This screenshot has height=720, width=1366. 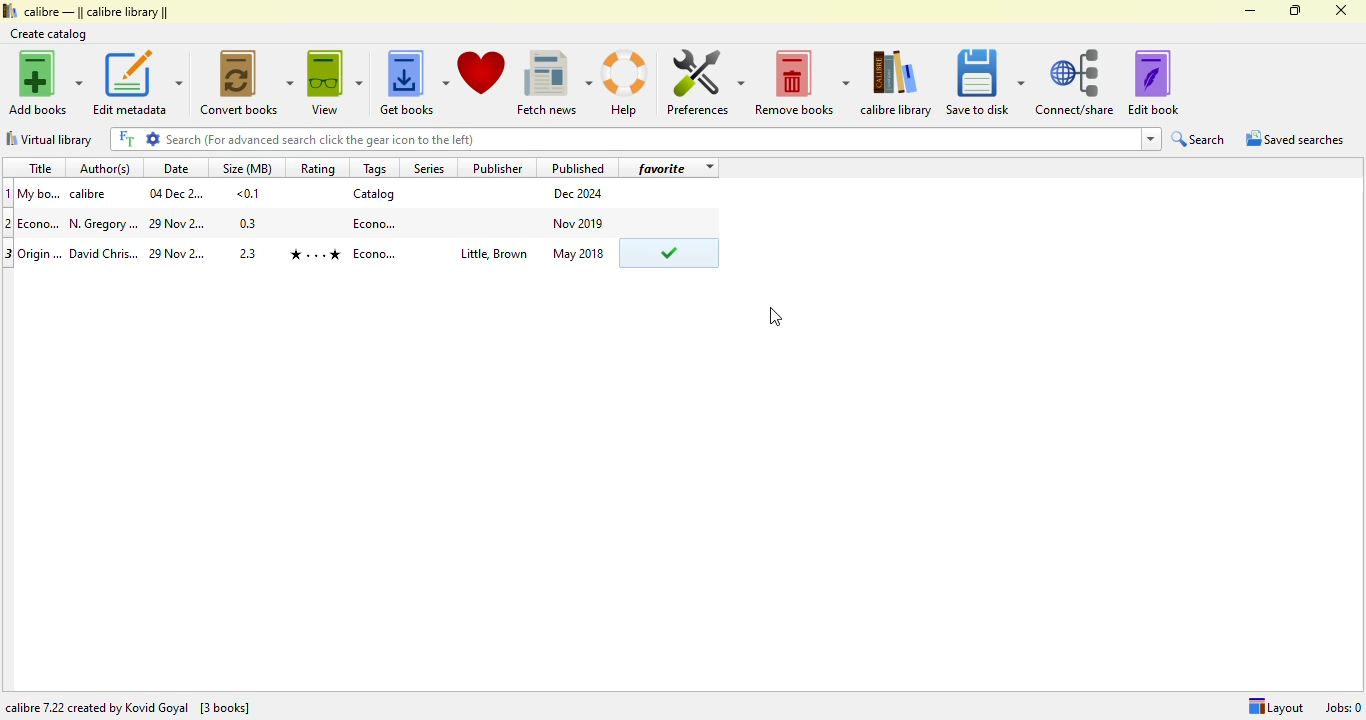 What do you see at coordinates (92, 194) in the screenshot?
I see `author` at bounding box center [92, 194].